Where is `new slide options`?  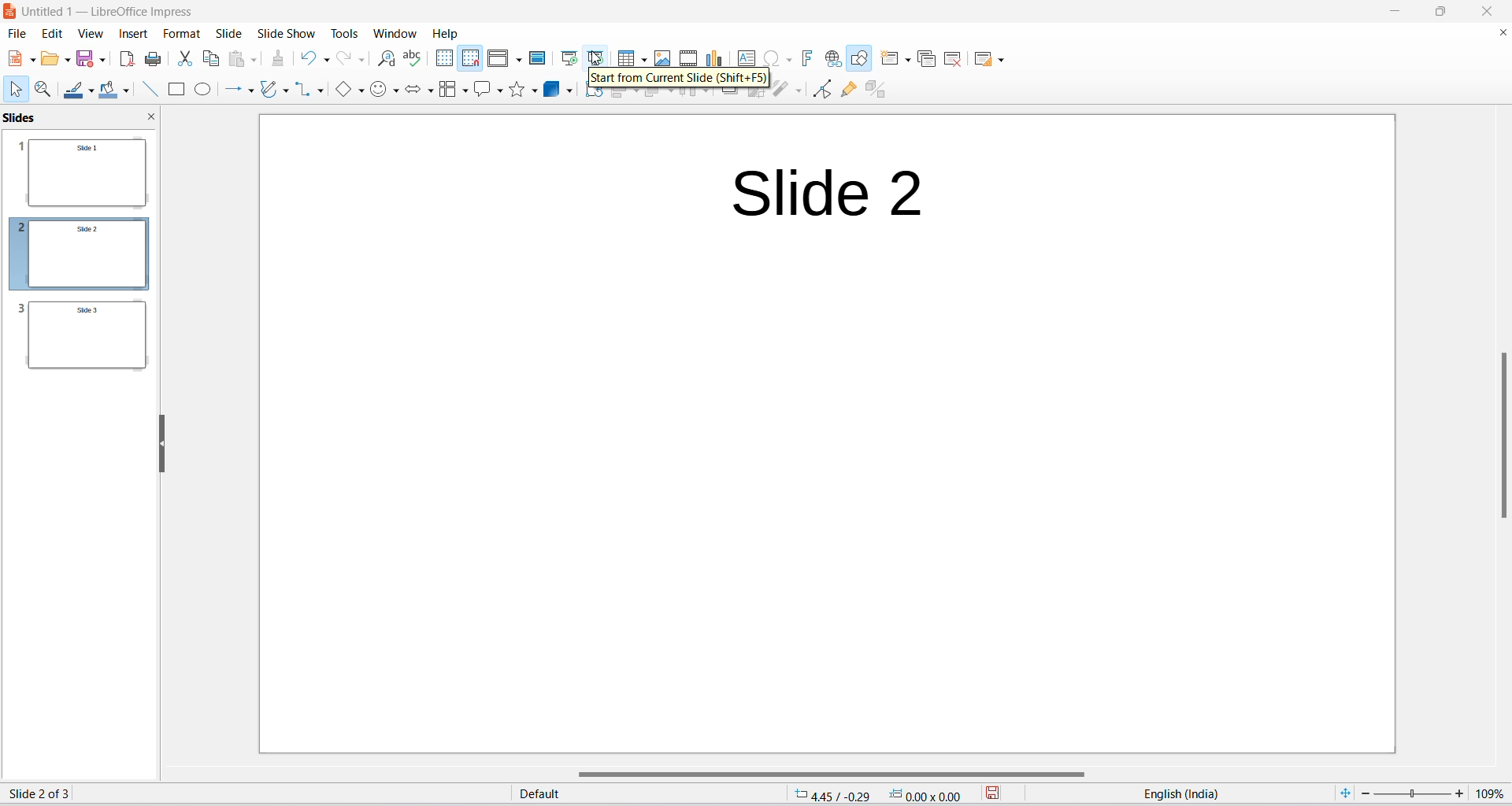 new slide options is located at coordinates (908, 61).